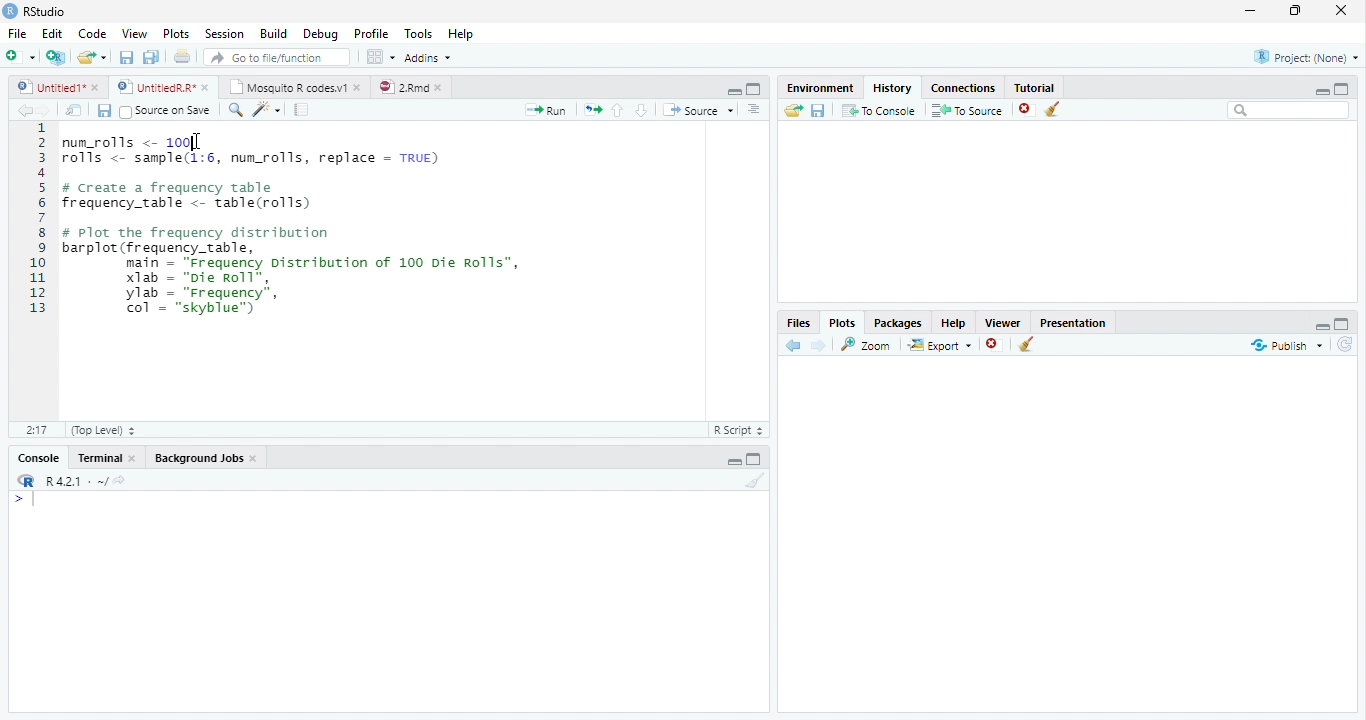  What do you see at coordinates (69, 481) in the screenshot?
I see `R R421 - ~/` at bounding box center [69, 481].